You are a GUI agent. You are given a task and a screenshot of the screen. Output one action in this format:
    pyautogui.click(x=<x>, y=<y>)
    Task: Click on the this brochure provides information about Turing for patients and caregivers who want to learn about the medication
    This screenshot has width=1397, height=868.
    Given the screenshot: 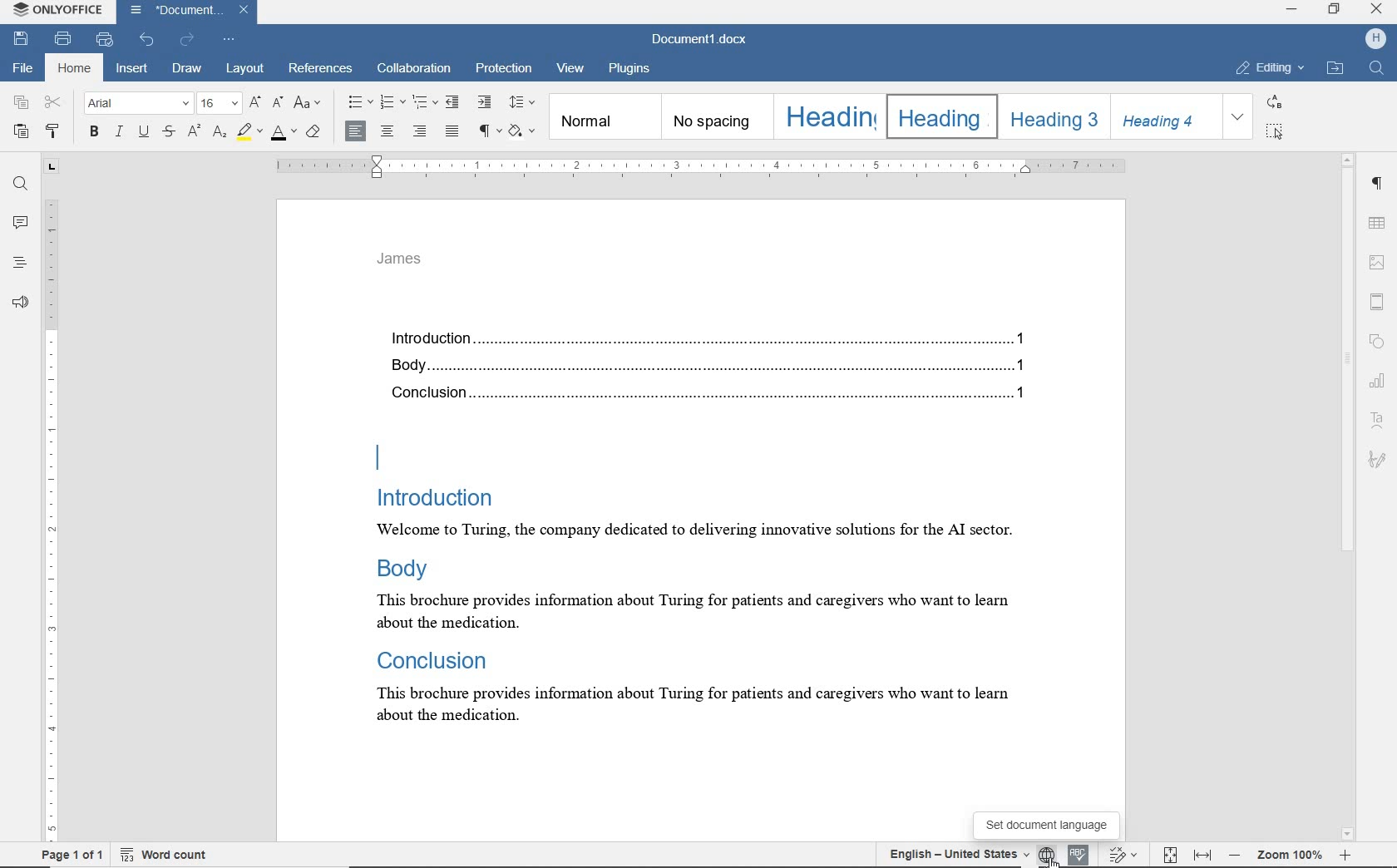 What is the action you would take?
    pyautogui.click(x=691, y=706)
    